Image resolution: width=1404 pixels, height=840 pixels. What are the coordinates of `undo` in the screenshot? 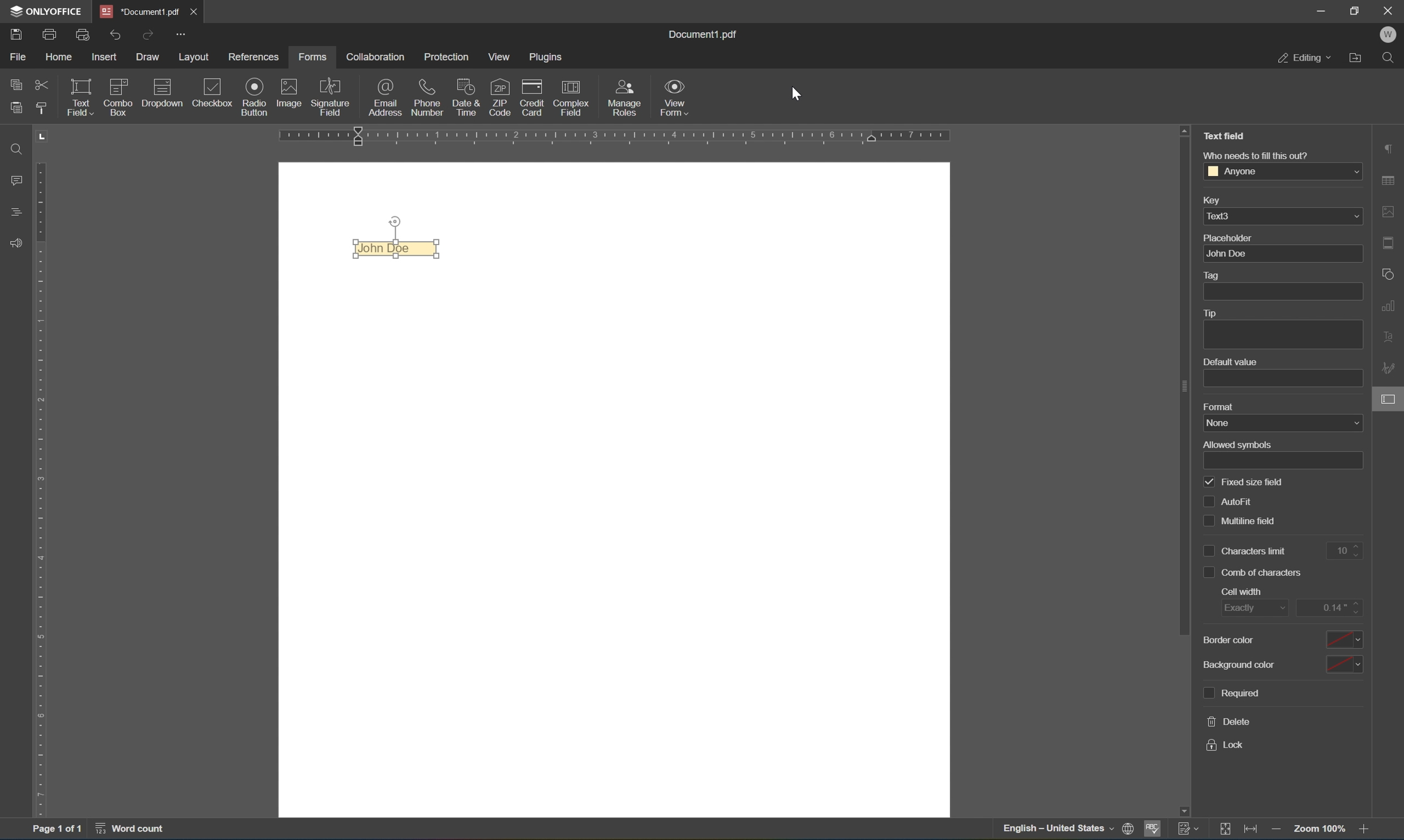 It's located at (116, 36).